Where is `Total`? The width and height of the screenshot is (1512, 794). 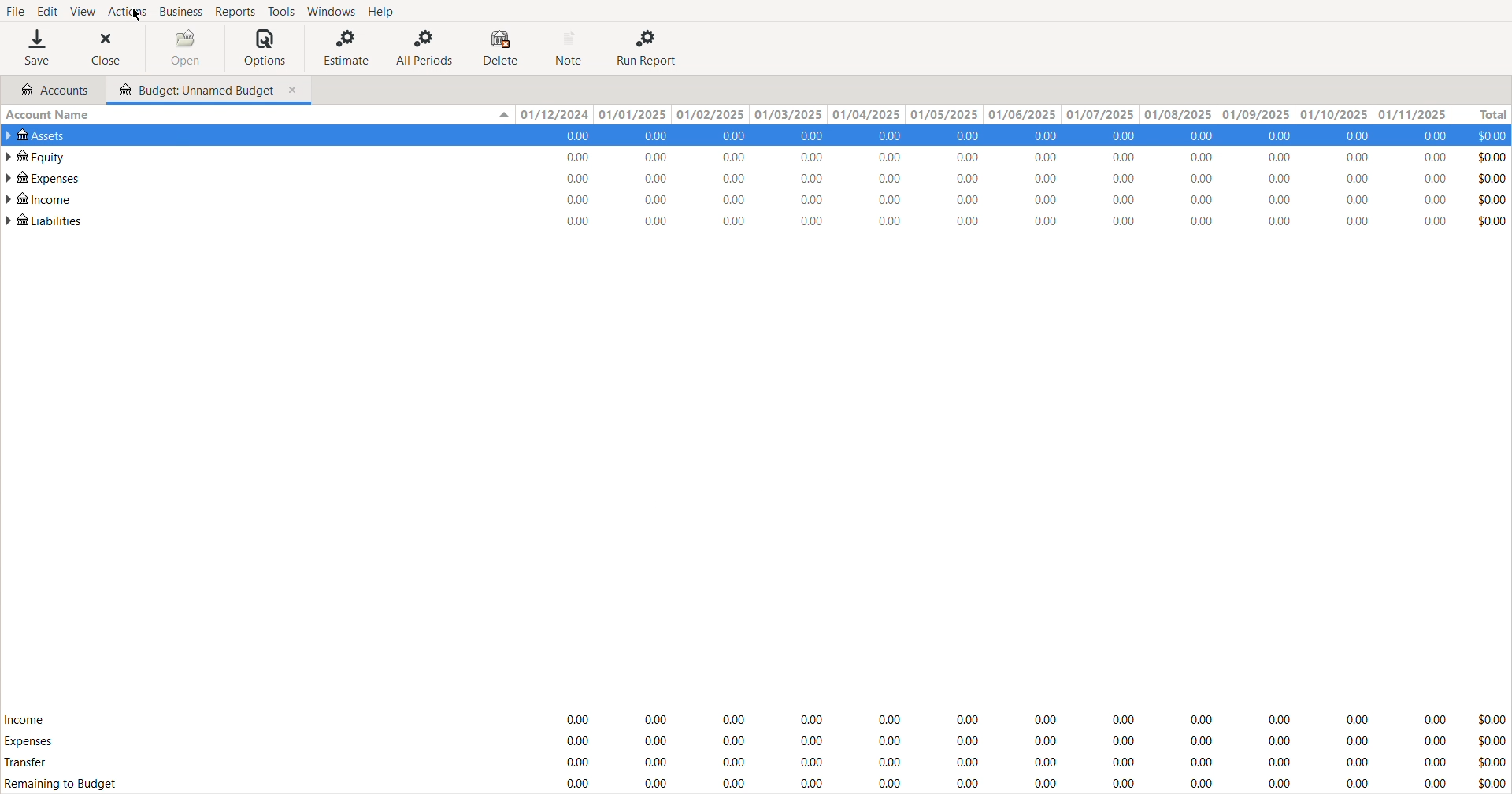
Total is located at coordinates (1480, 115).